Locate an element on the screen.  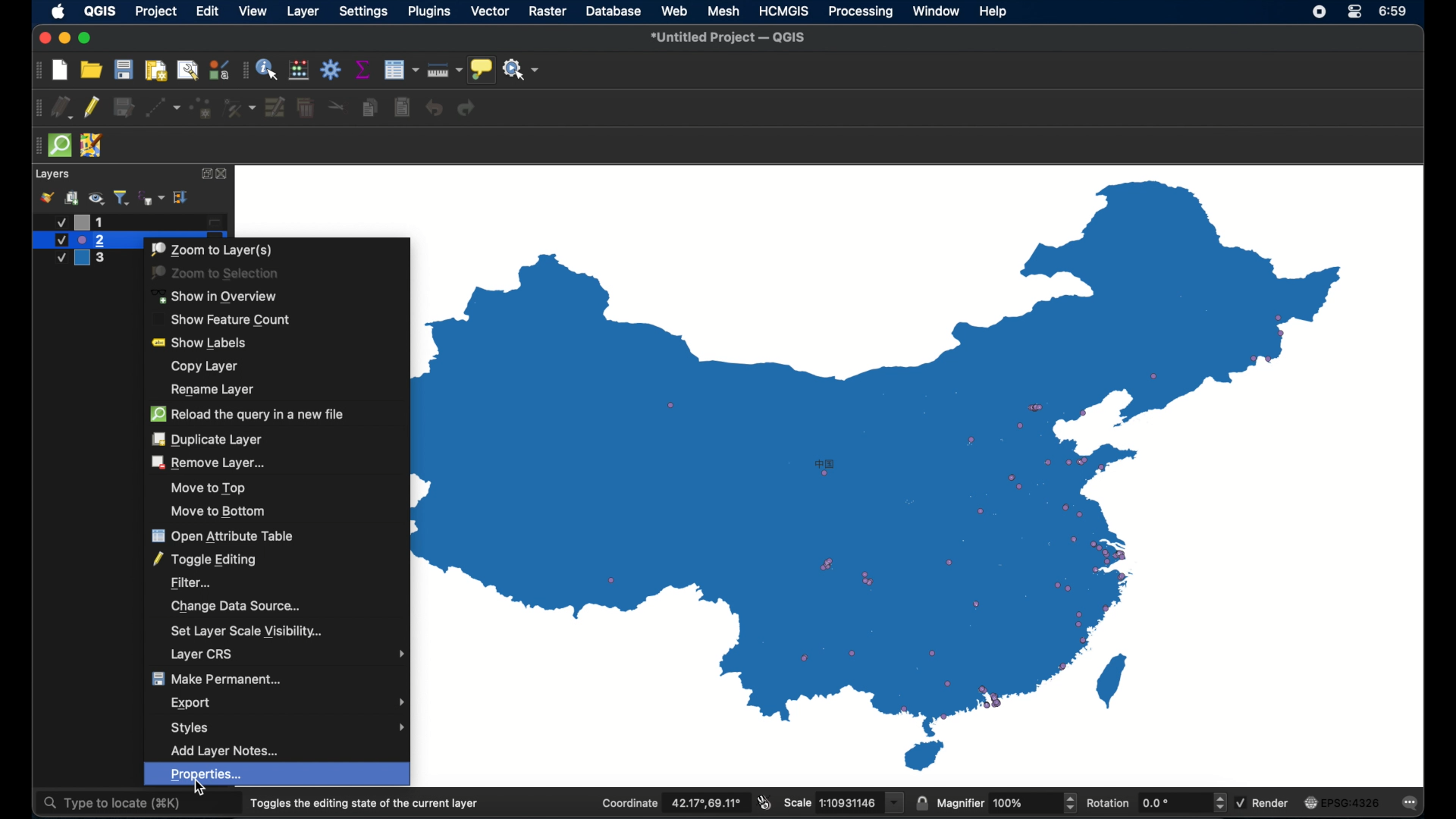
project is located at coordinates (155, 11).